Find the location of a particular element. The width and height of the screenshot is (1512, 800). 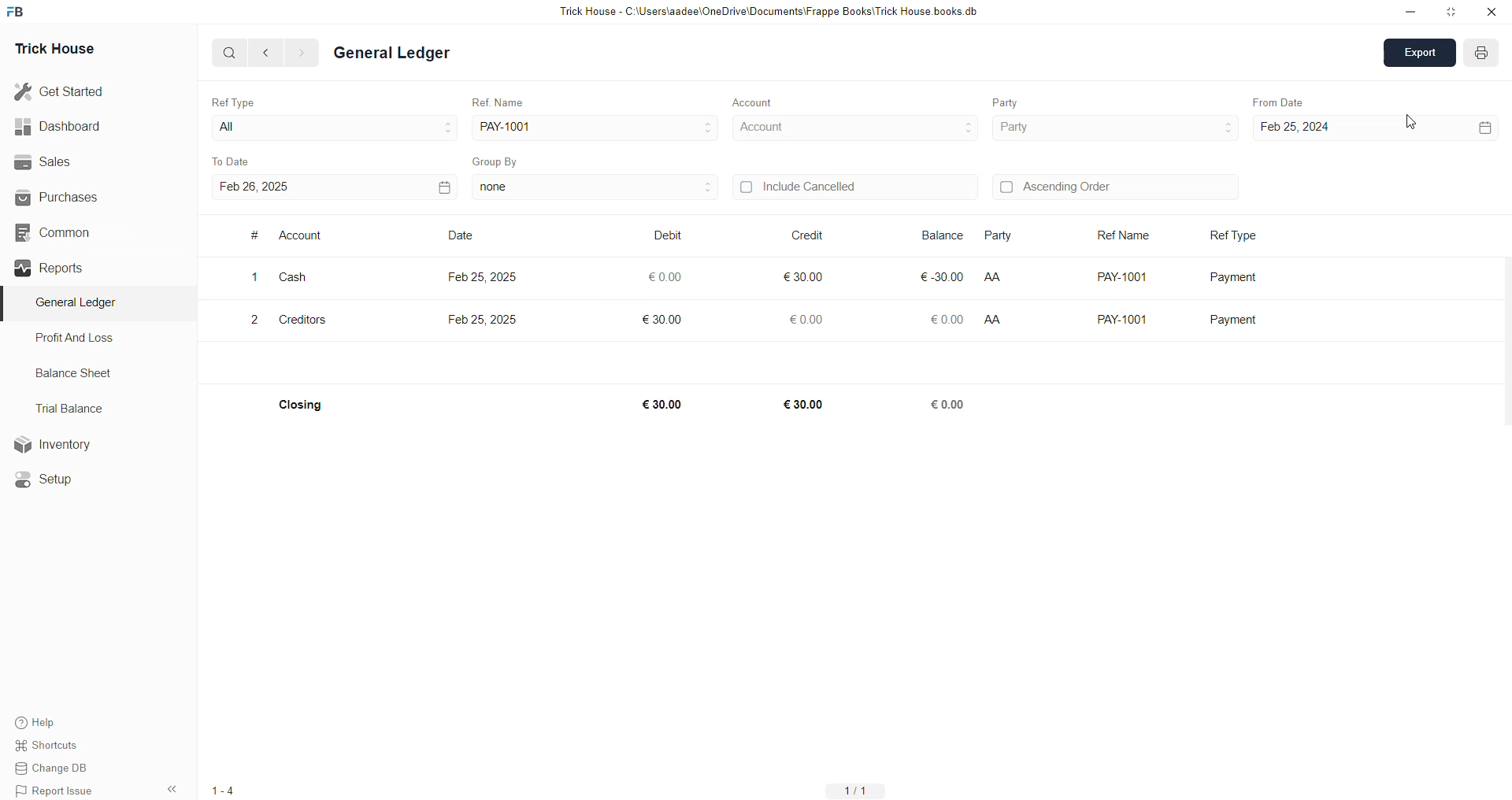

€-30.00 is located at coordinates (939, 274).